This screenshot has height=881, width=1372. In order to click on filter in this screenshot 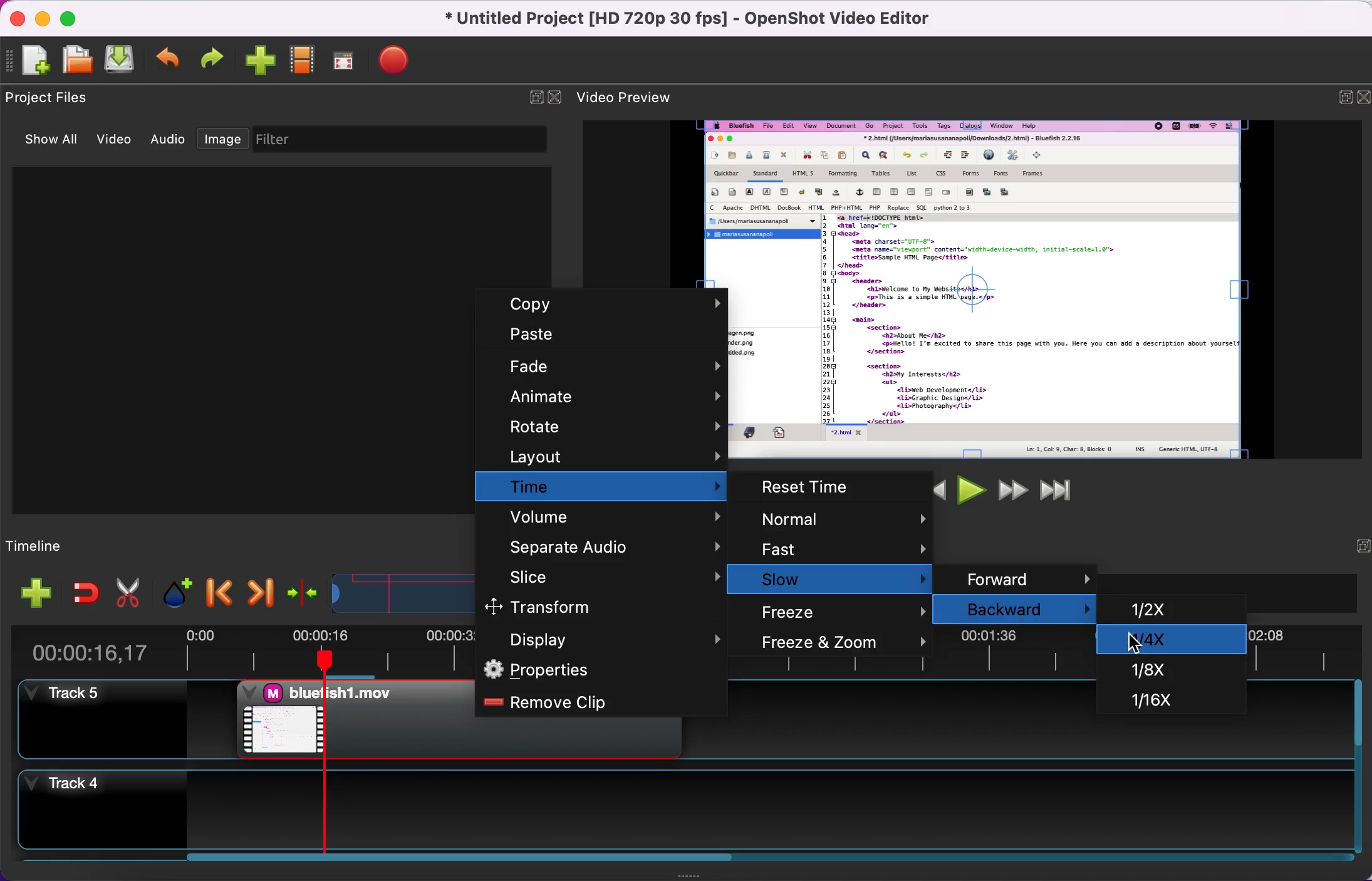, I will do `click(405, 140)`.